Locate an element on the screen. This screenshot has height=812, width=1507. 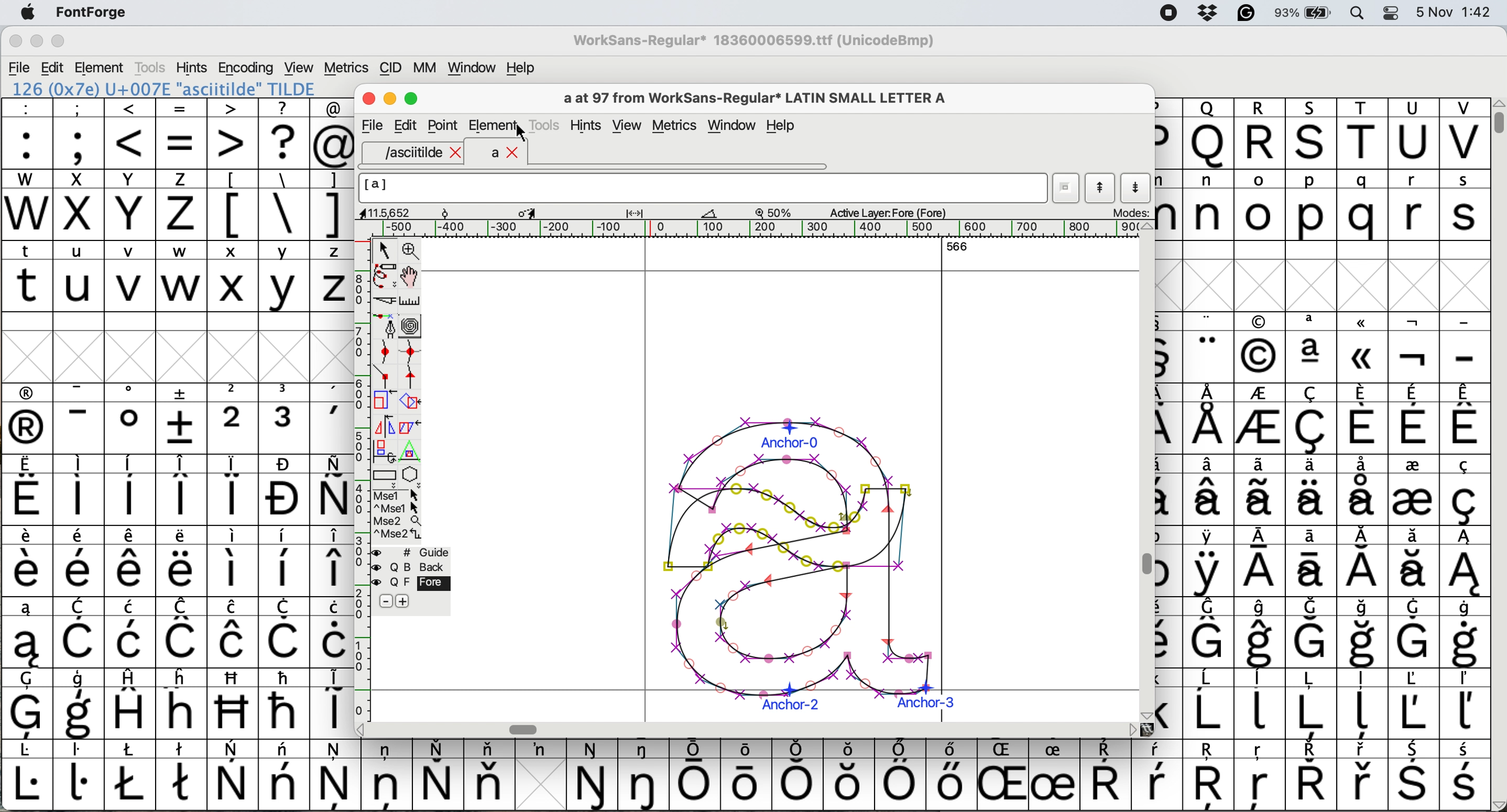
 is located at coordinates (1313, 133).